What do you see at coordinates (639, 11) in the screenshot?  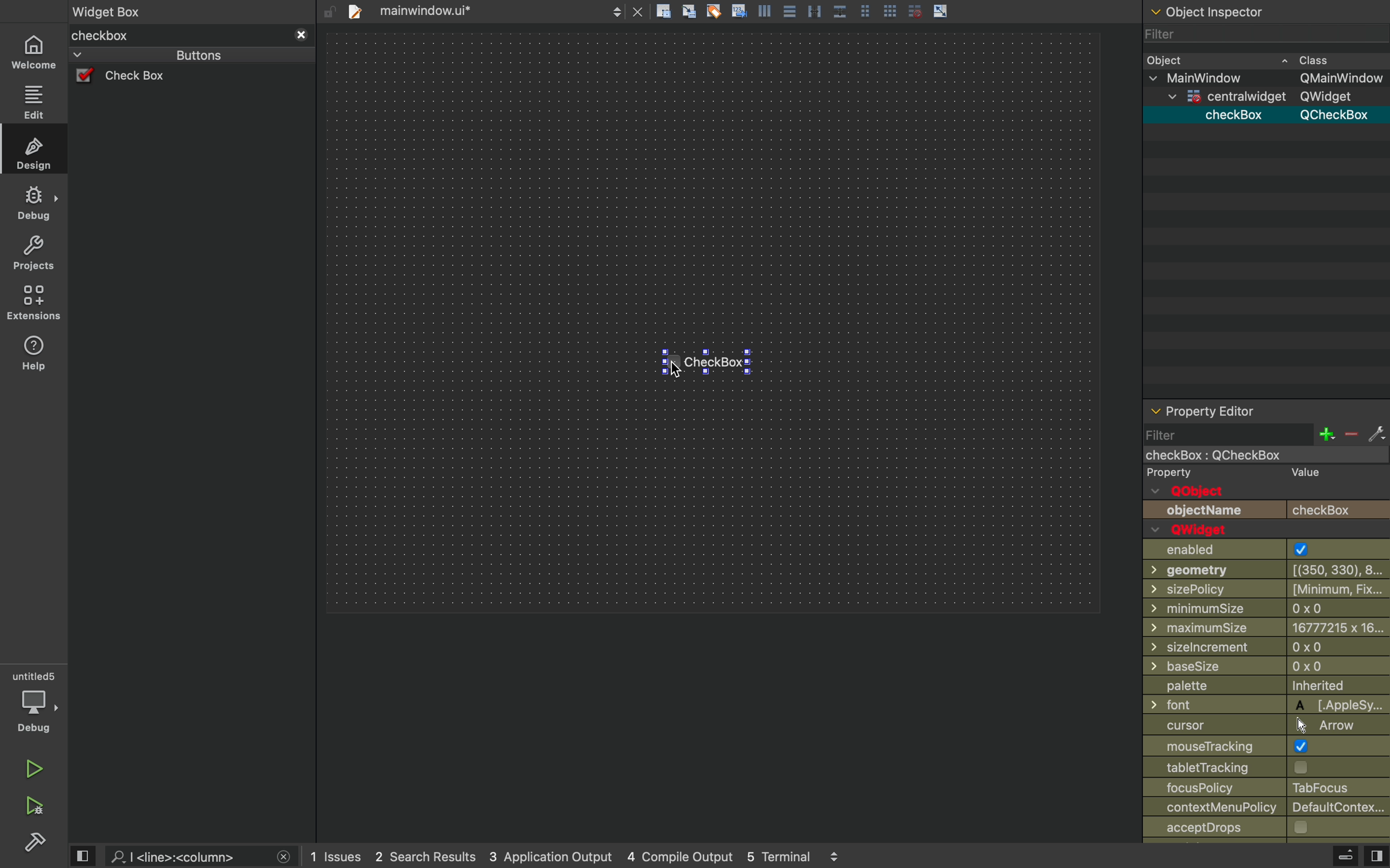 I see `close` at bounding box center [639, 11].